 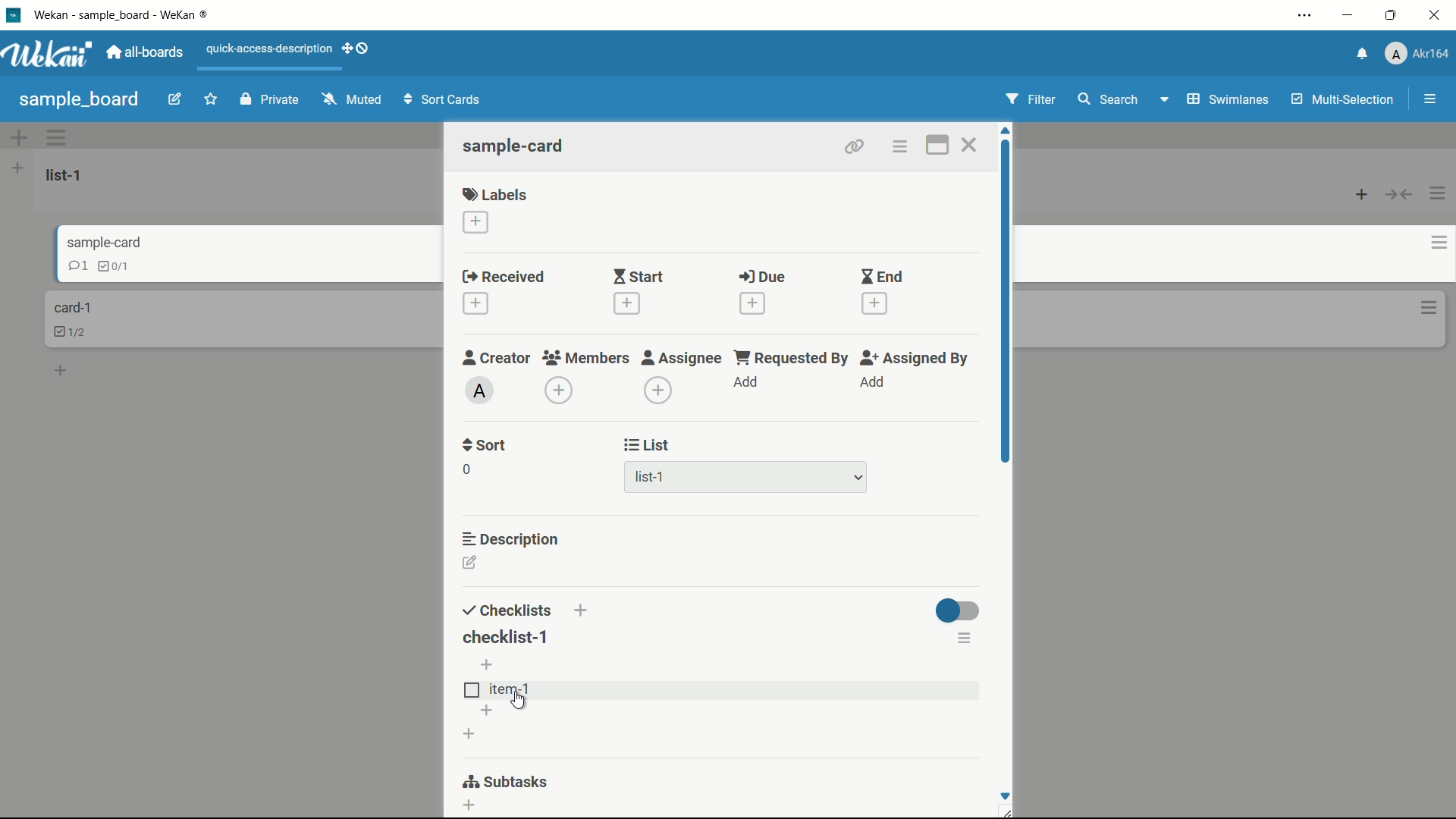 I want to click on multi-selection, so click(x=1343, y=99).